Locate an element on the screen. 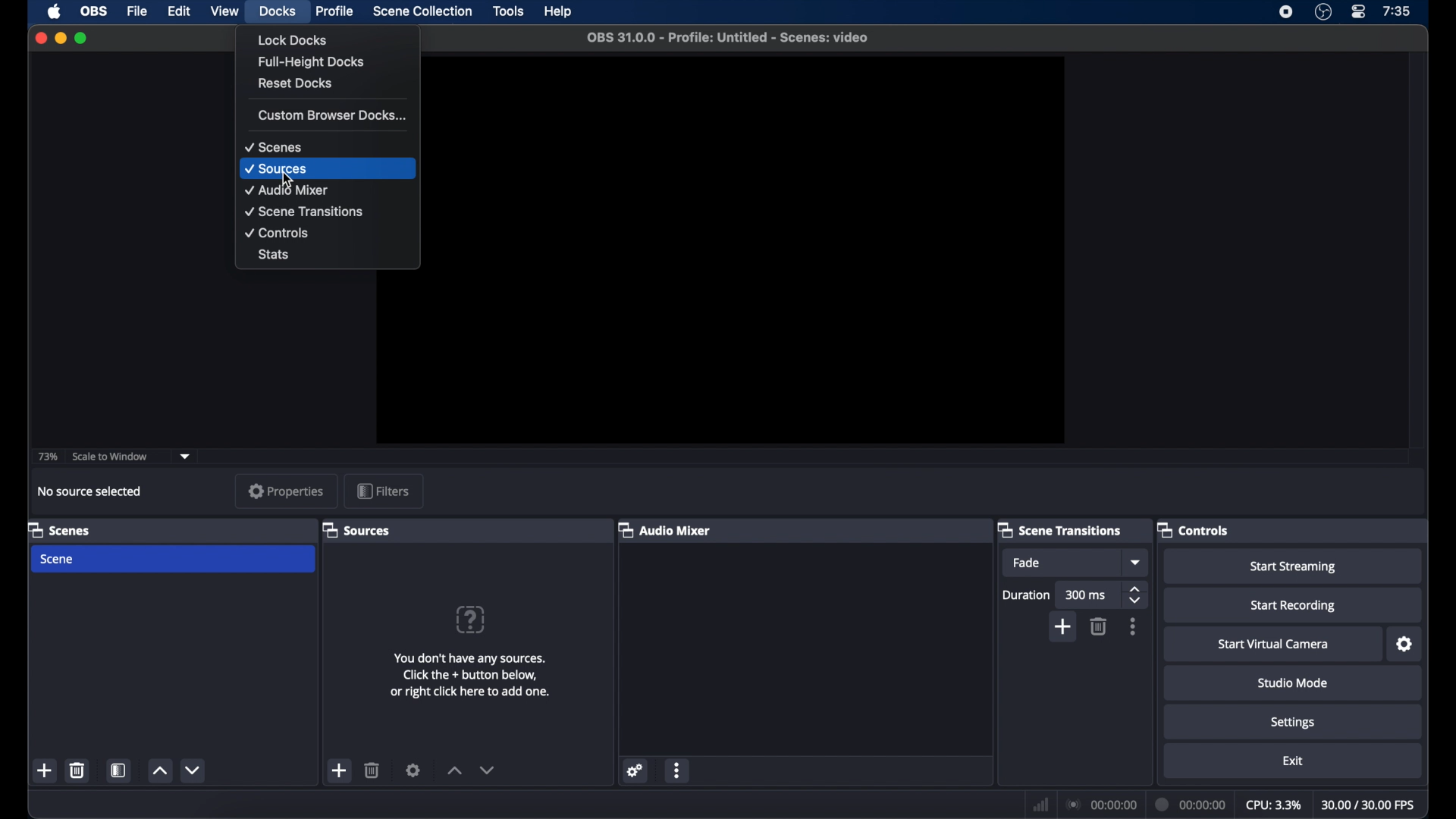 The image size is (1456, 819). docks is located at coordinates (277, 11).